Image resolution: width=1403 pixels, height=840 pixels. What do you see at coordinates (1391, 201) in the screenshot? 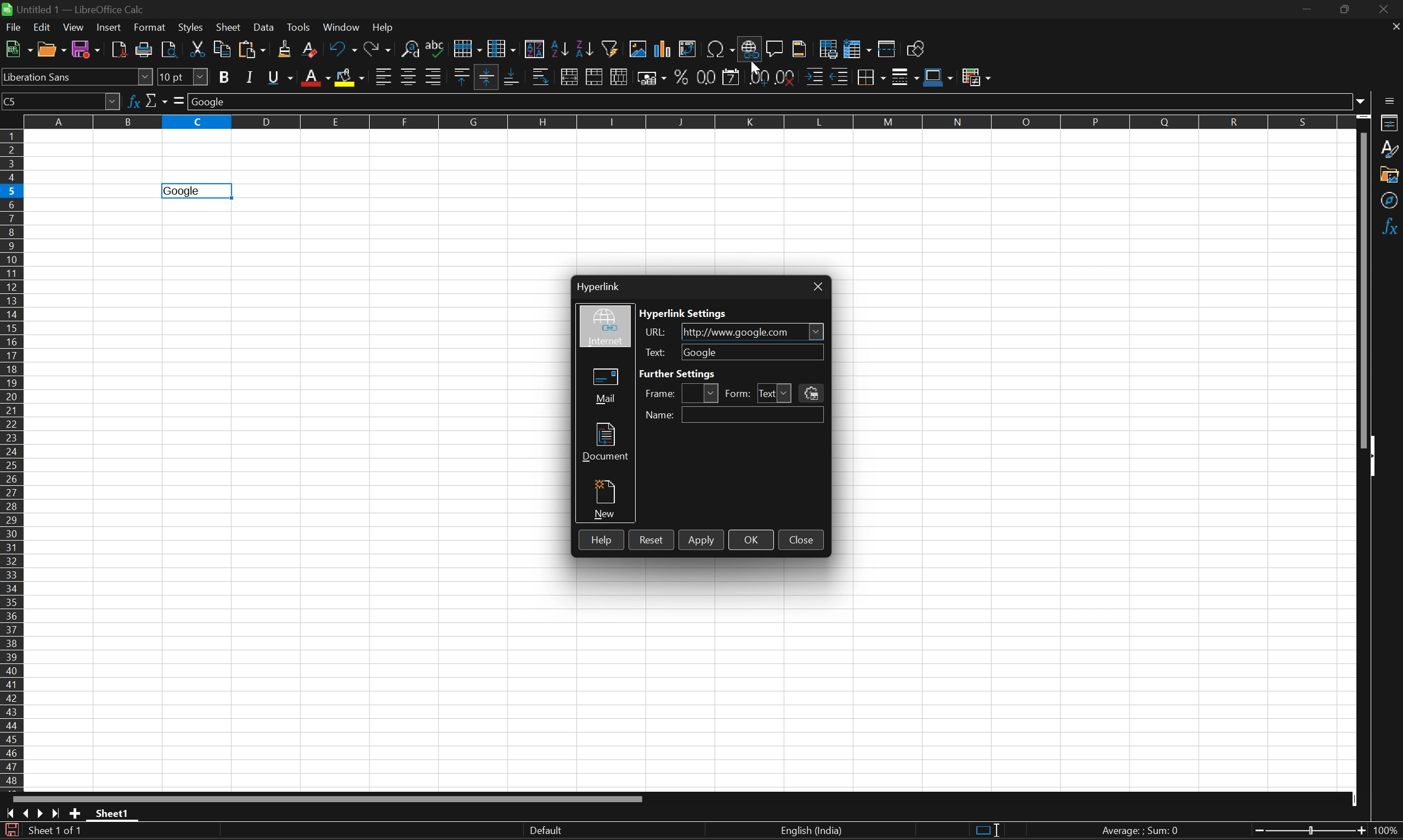
I see `Navigator` at bounding box center [1391, 201].